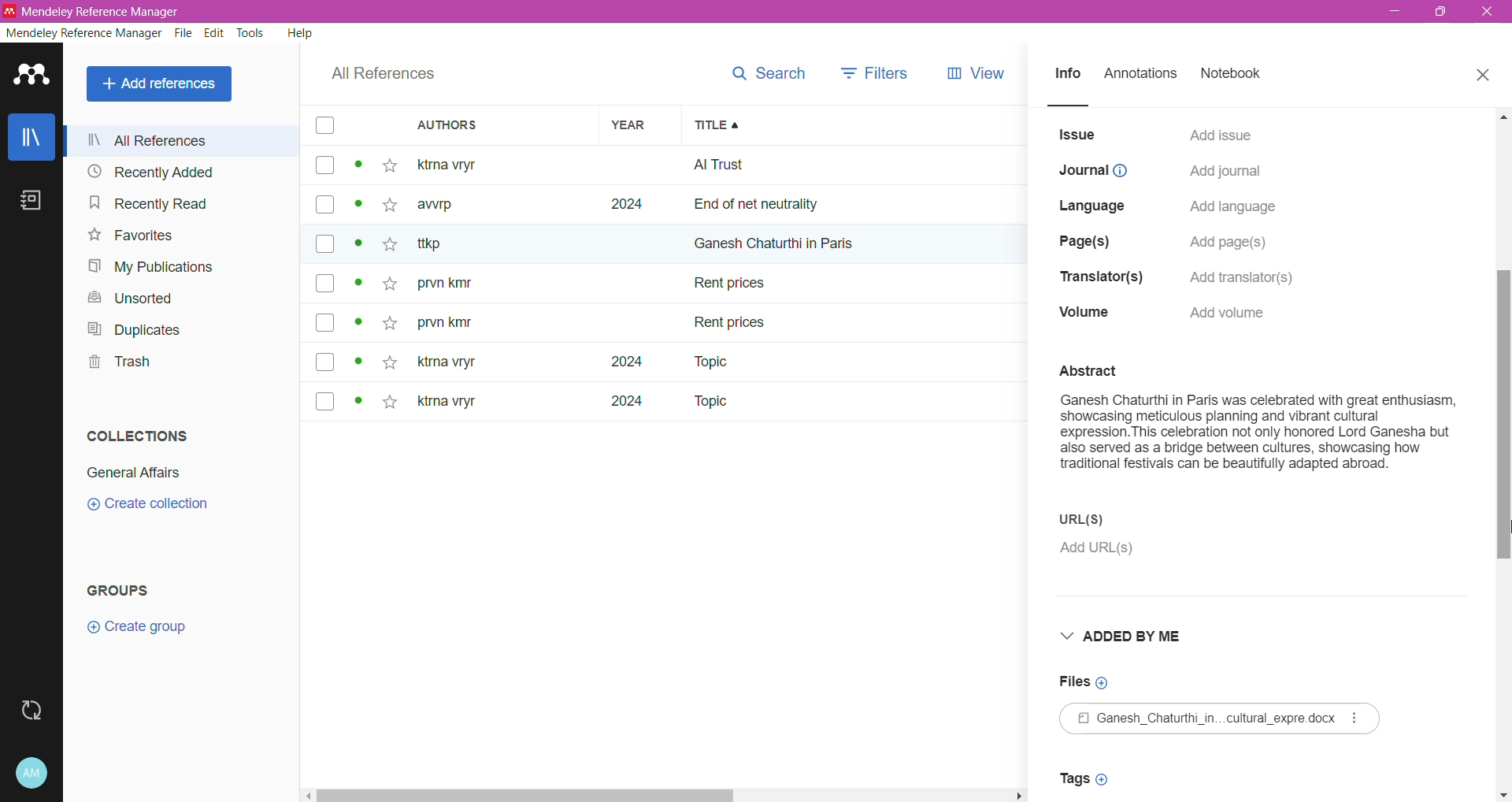  What do you see at coordinates (667, 796) in the screenshot?
I see `Horizontal Scroll Bar` at bounding box center [667, 796].